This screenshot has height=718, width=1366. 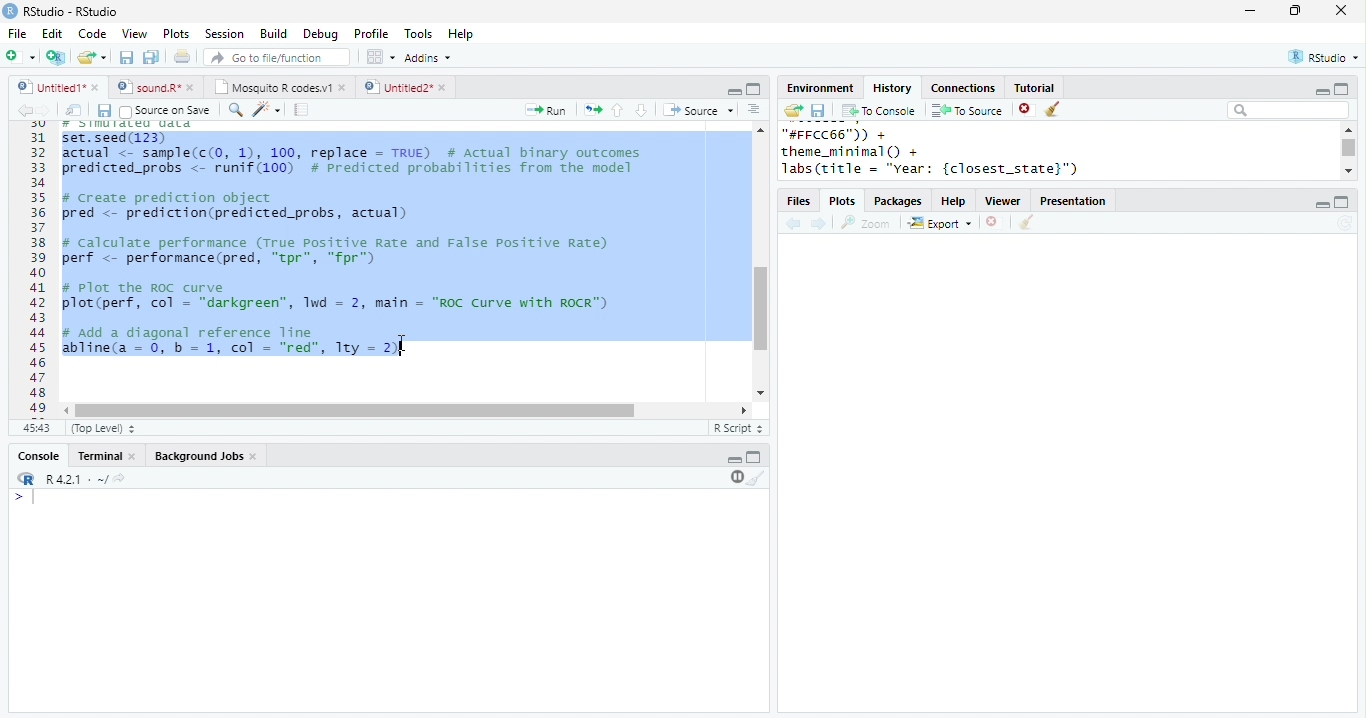 I want to click on save all, so click(x=151, y=57).